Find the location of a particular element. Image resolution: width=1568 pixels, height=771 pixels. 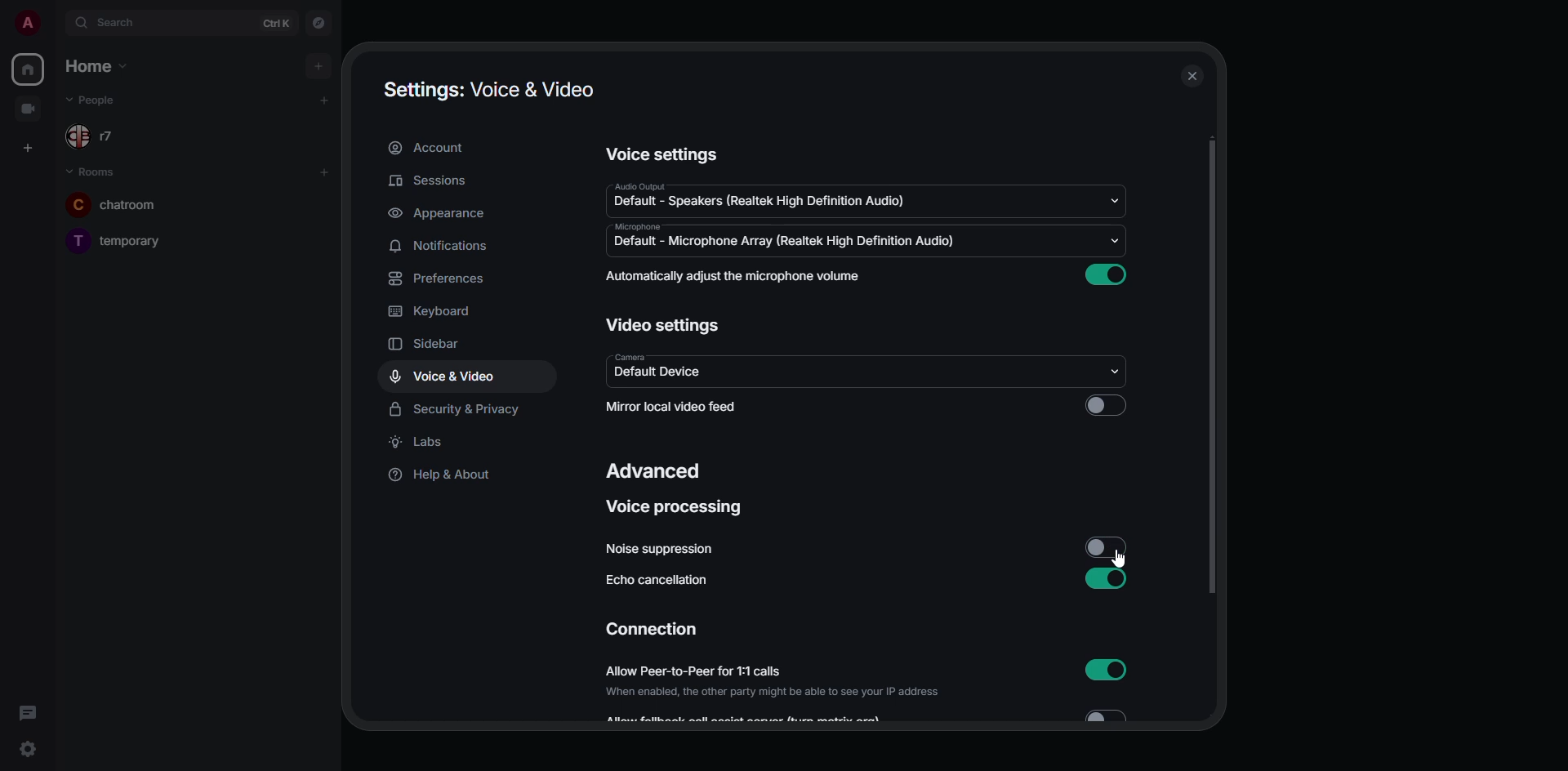

noise suppression is located at coordinates (658, 550).